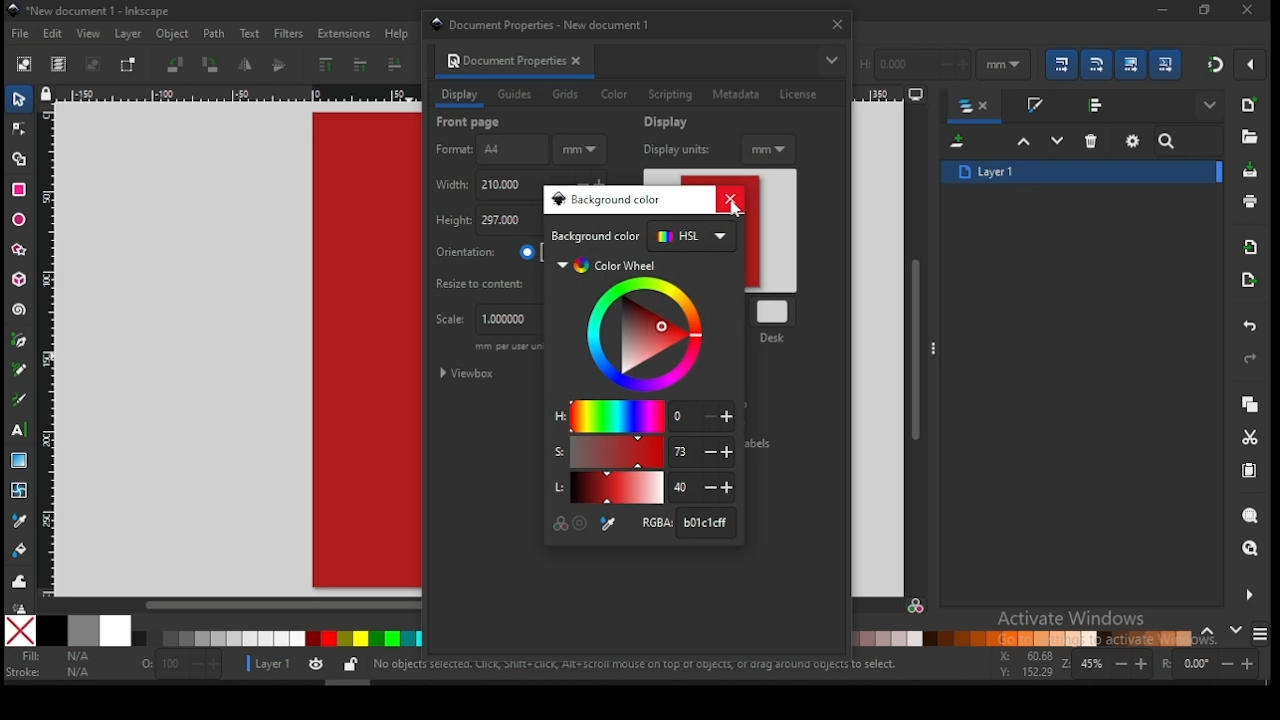 Image resolution: width=1280 pixels, height=720 pixels. Describe the element at coordinates (1250, 516) in the screenshot. I see `zoom object` at that location.